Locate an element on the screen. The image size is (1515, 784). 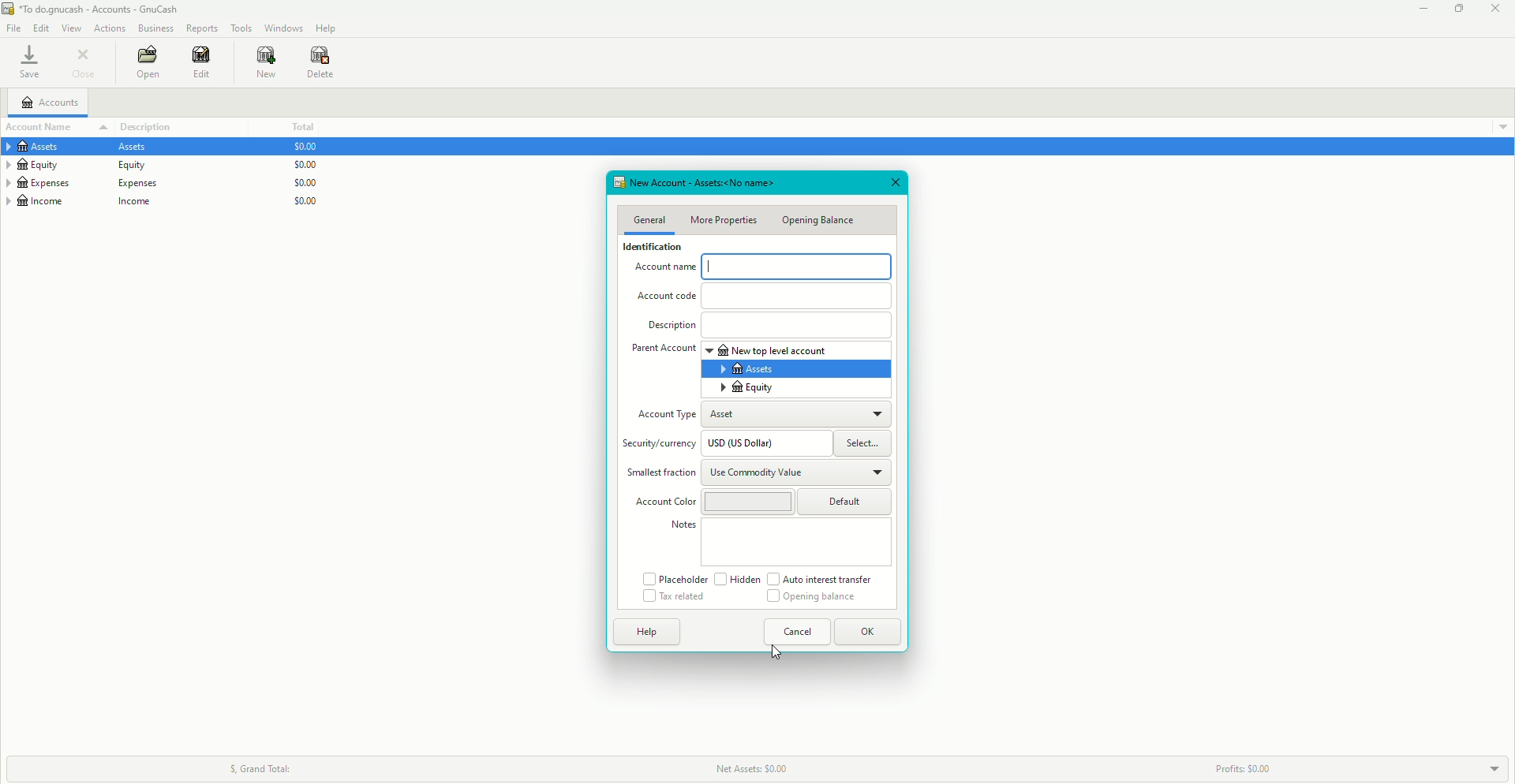
Open is located at coordinates (146, 64).